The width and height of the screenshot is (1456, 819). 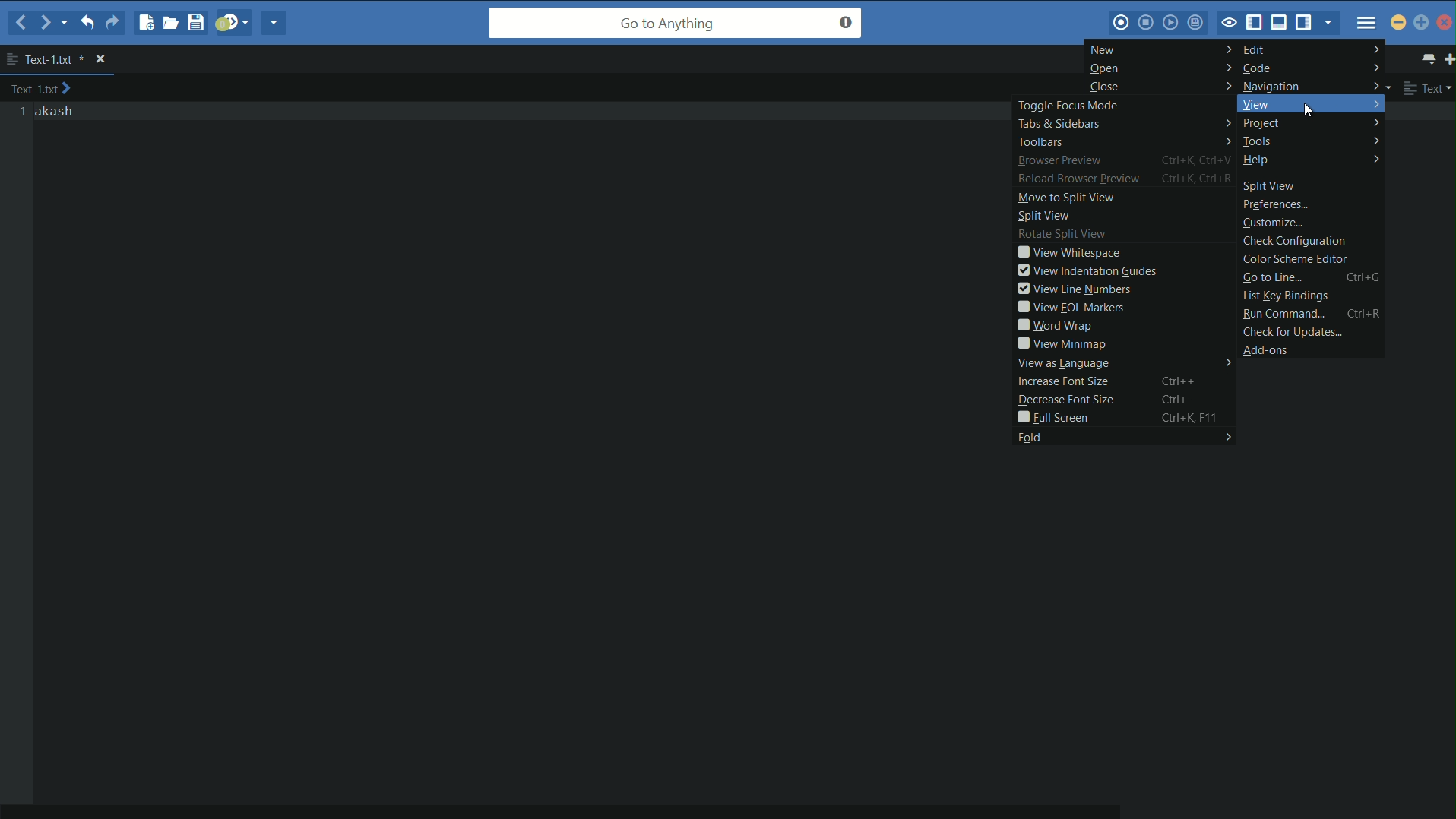 I want to click on navigation, so click(x=1312, y=85).